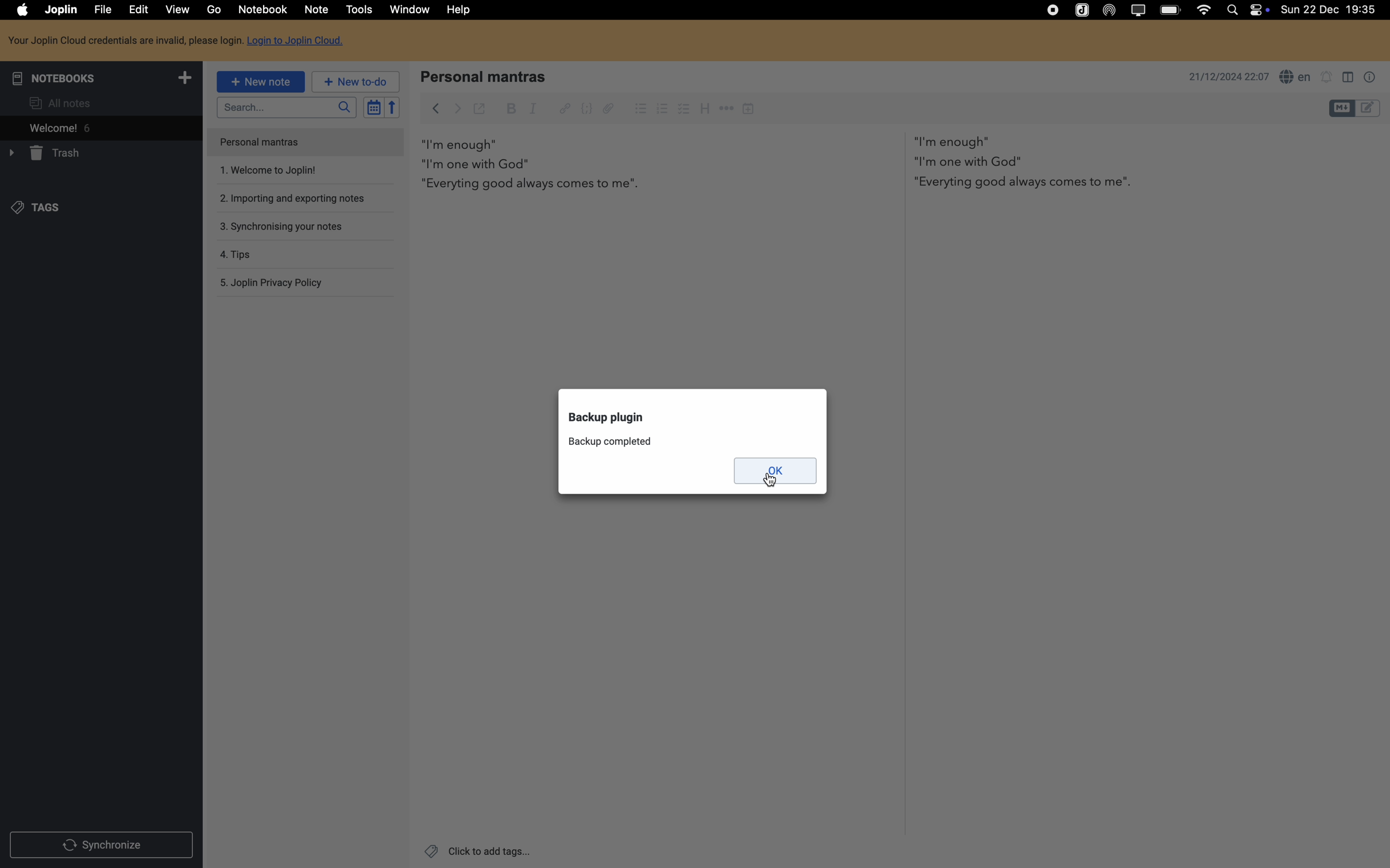 The height and width of the screenshot is (868, 1390). Describe the element at coordinates (607, 107) in the screenshot. I see `attach file` at that location.